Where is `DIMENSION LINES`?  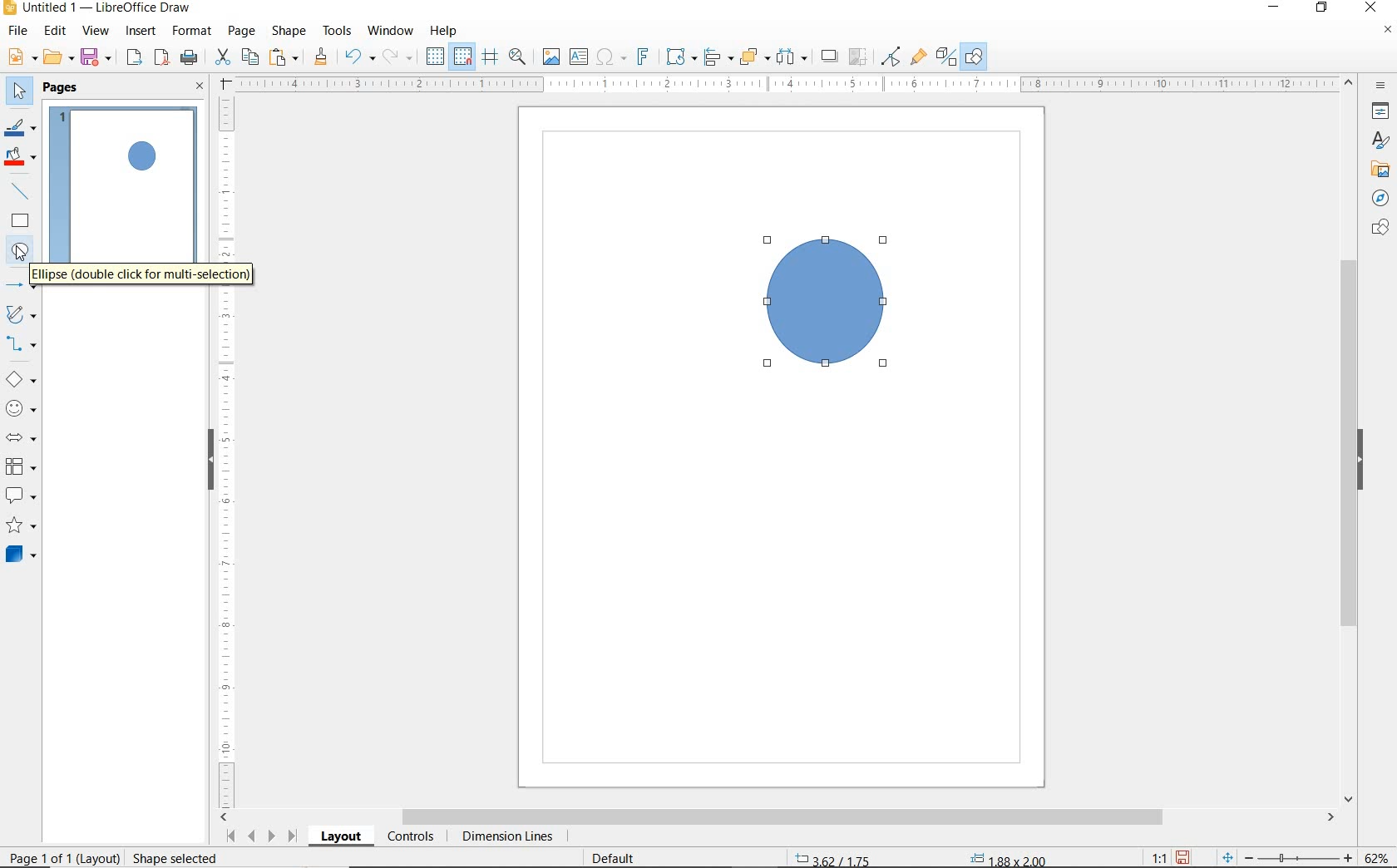
DIMENSION LINES is located at coordinates (505, 838).